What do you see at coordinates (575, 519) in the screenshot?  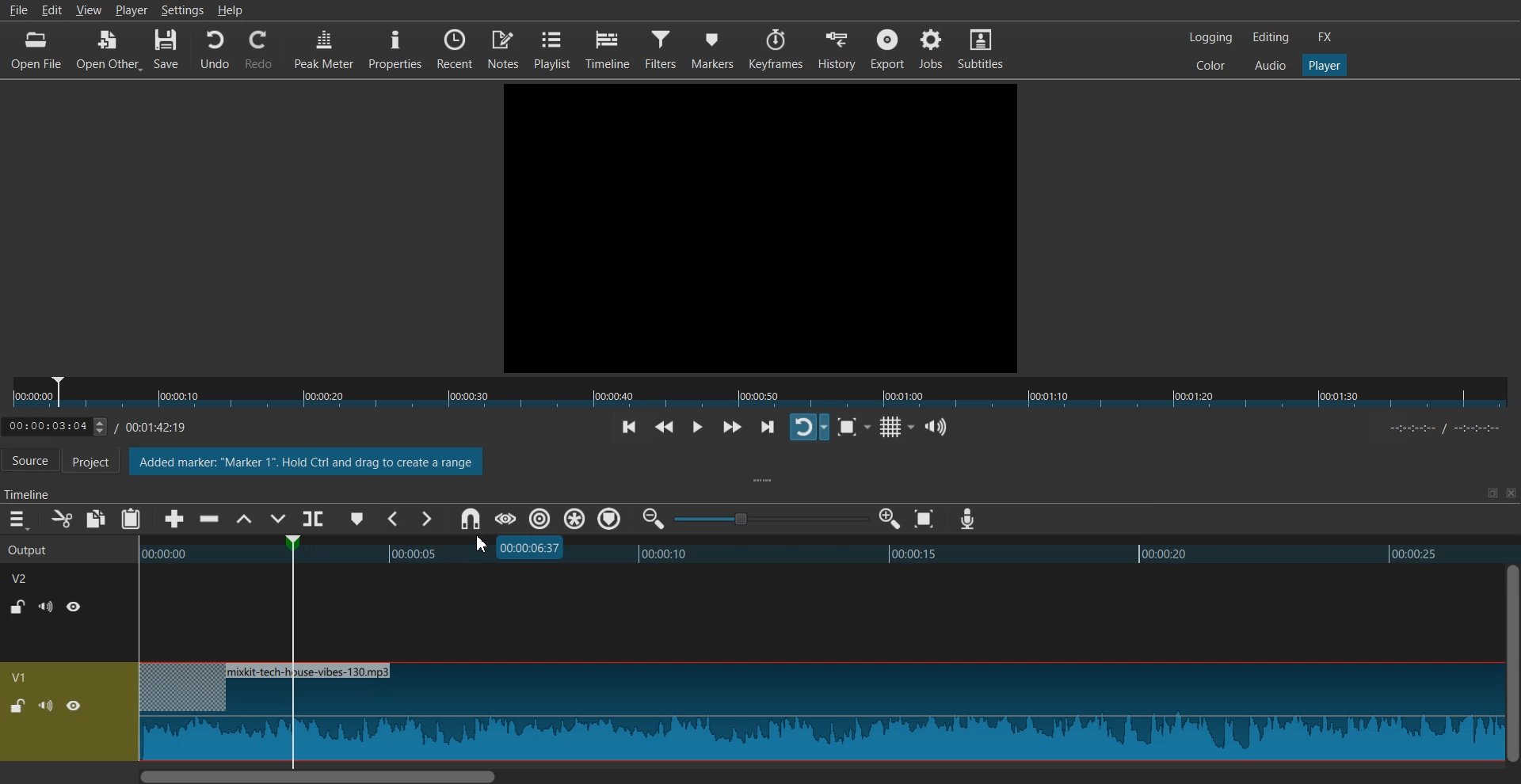 I see `Ripple all markers` at bounding box center [575, 519].